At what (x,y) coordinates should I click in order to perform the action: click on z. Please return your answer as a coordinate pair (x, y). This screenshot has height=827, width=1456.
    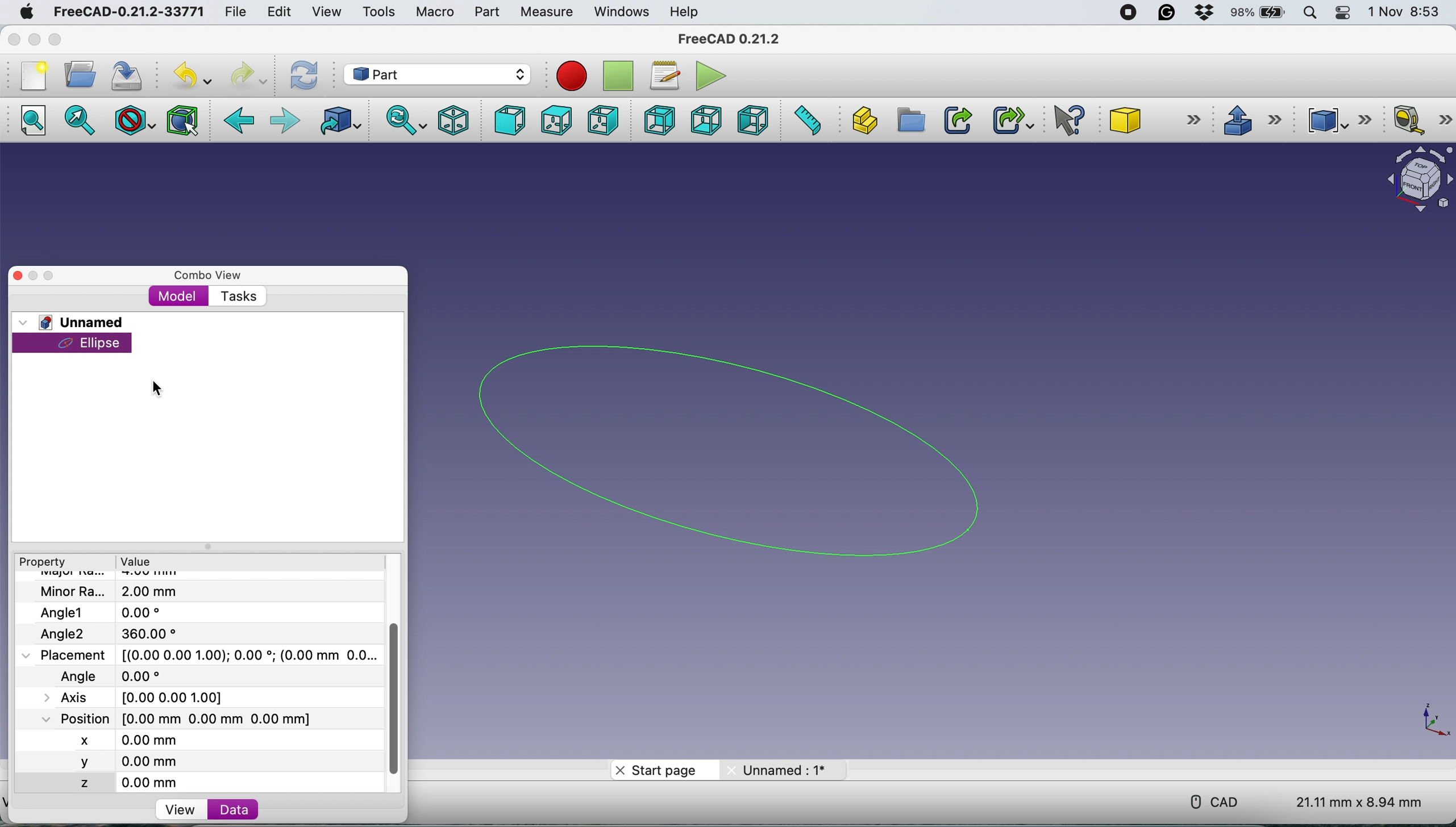
    Looking at the image, I should click on (117, 781).